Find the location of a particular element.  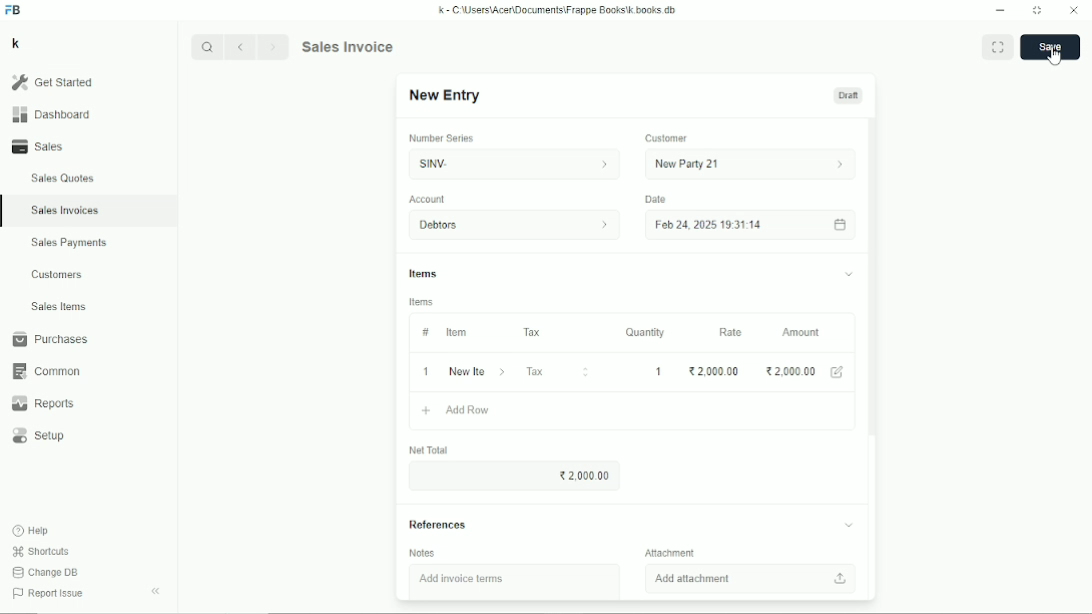

Save is located at coordinates (1050, 46).